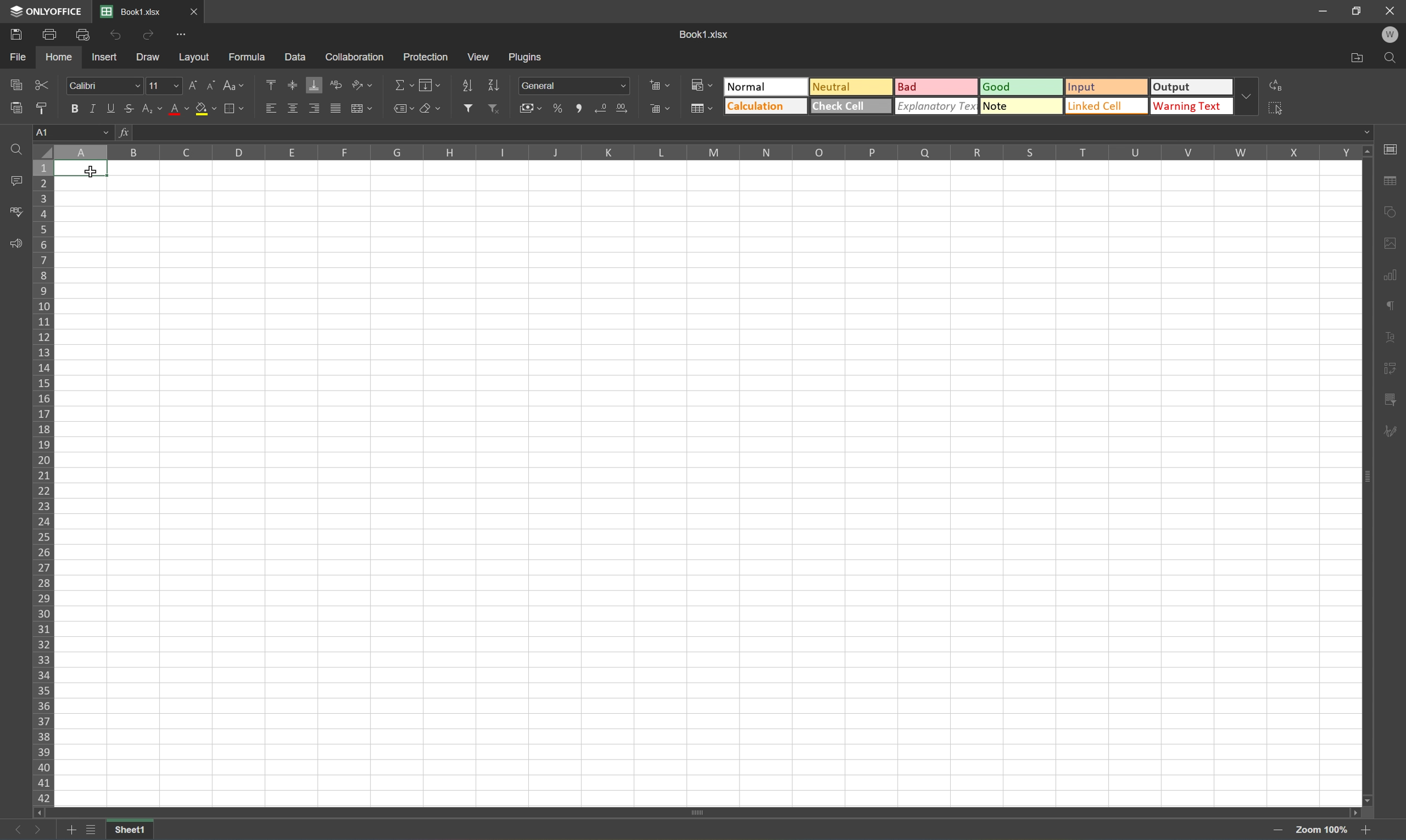  Describe the element at coordinates (1357, 57) in the screenshot. I see `Open file location` at that location.